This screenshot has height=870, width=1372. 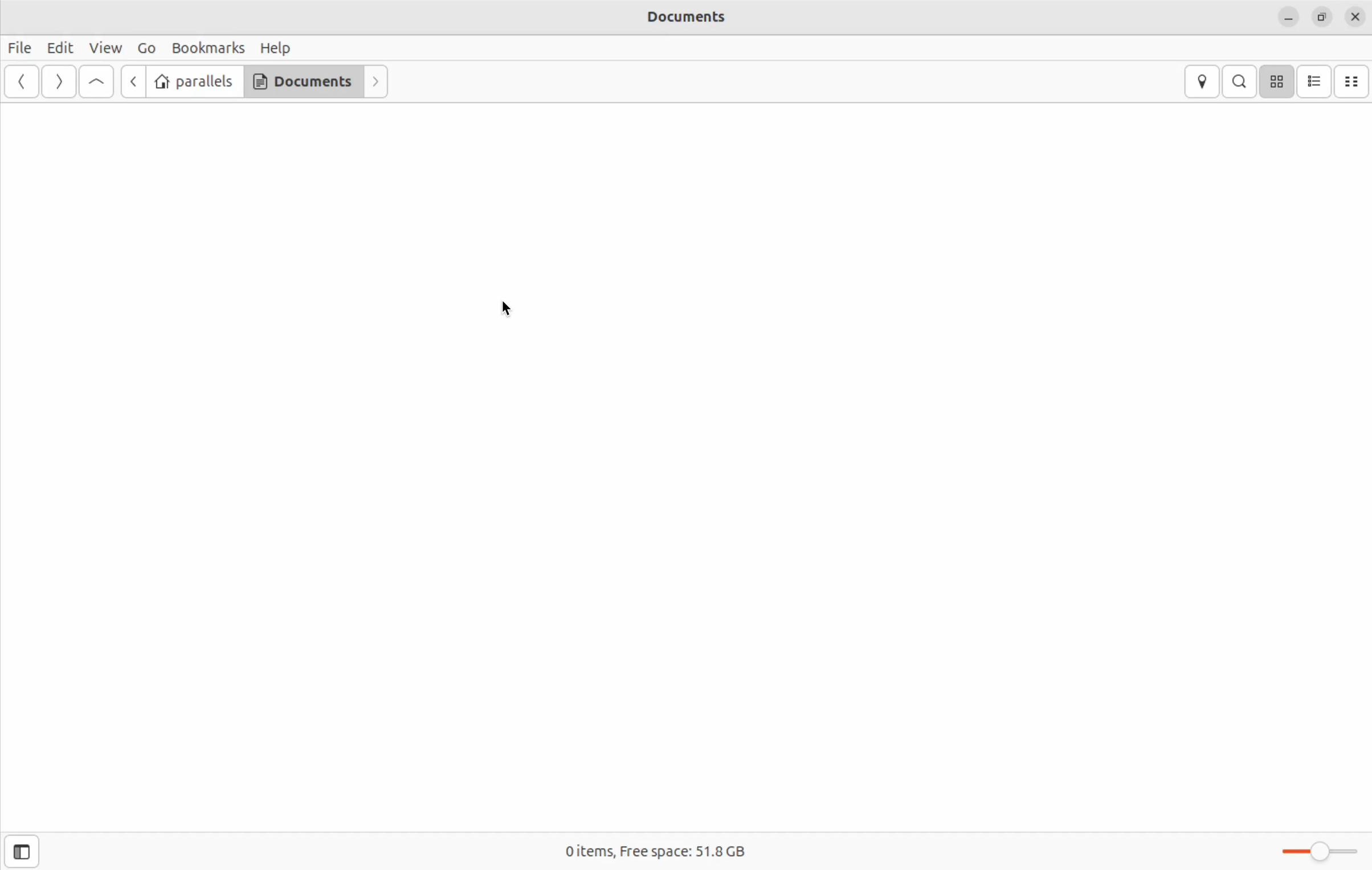 I want to click on back, so click(x=130, y=81).